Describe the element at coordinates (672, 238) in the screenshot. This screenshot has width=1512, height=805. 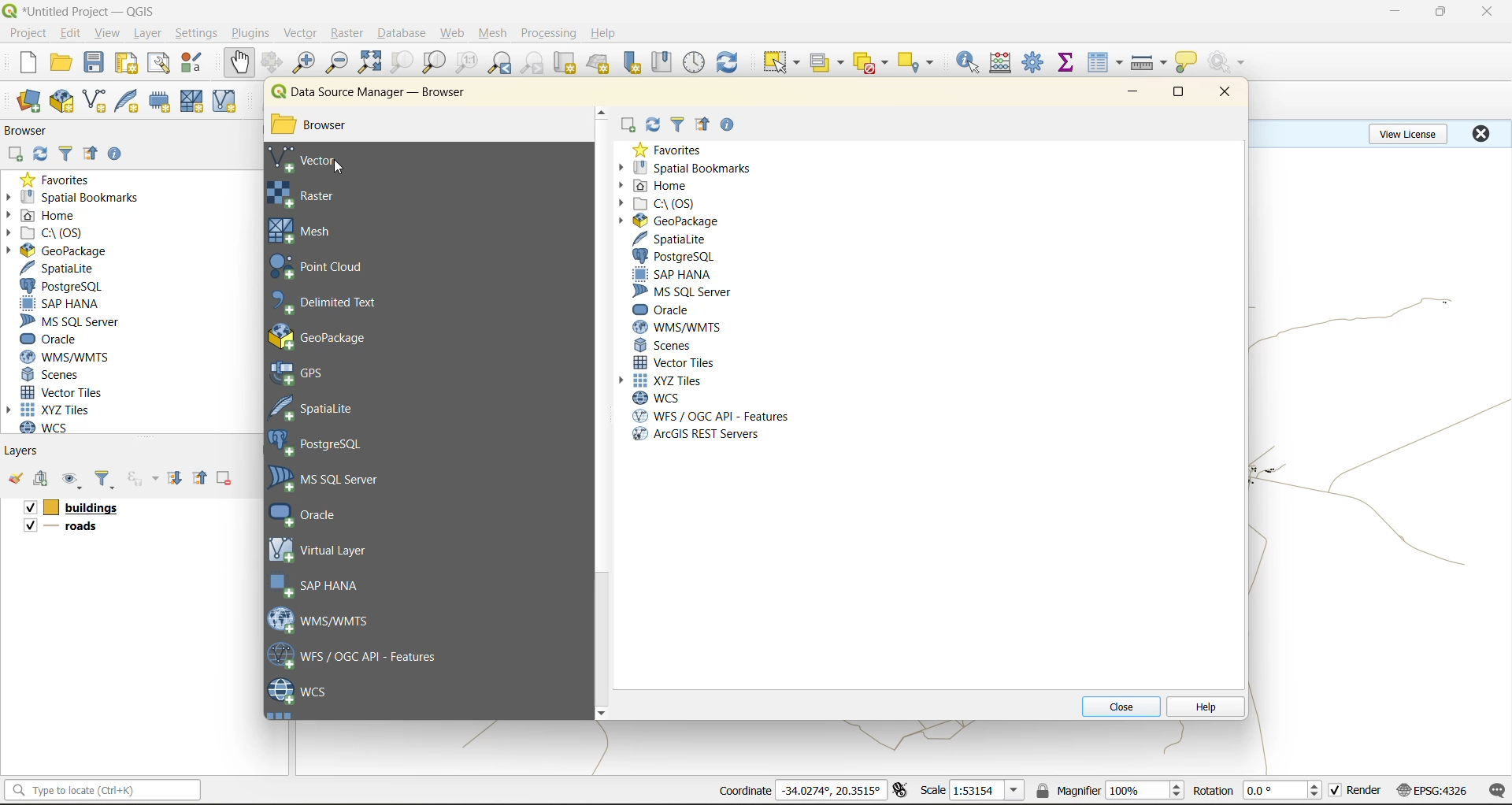
I see `spatial lite` at that location.